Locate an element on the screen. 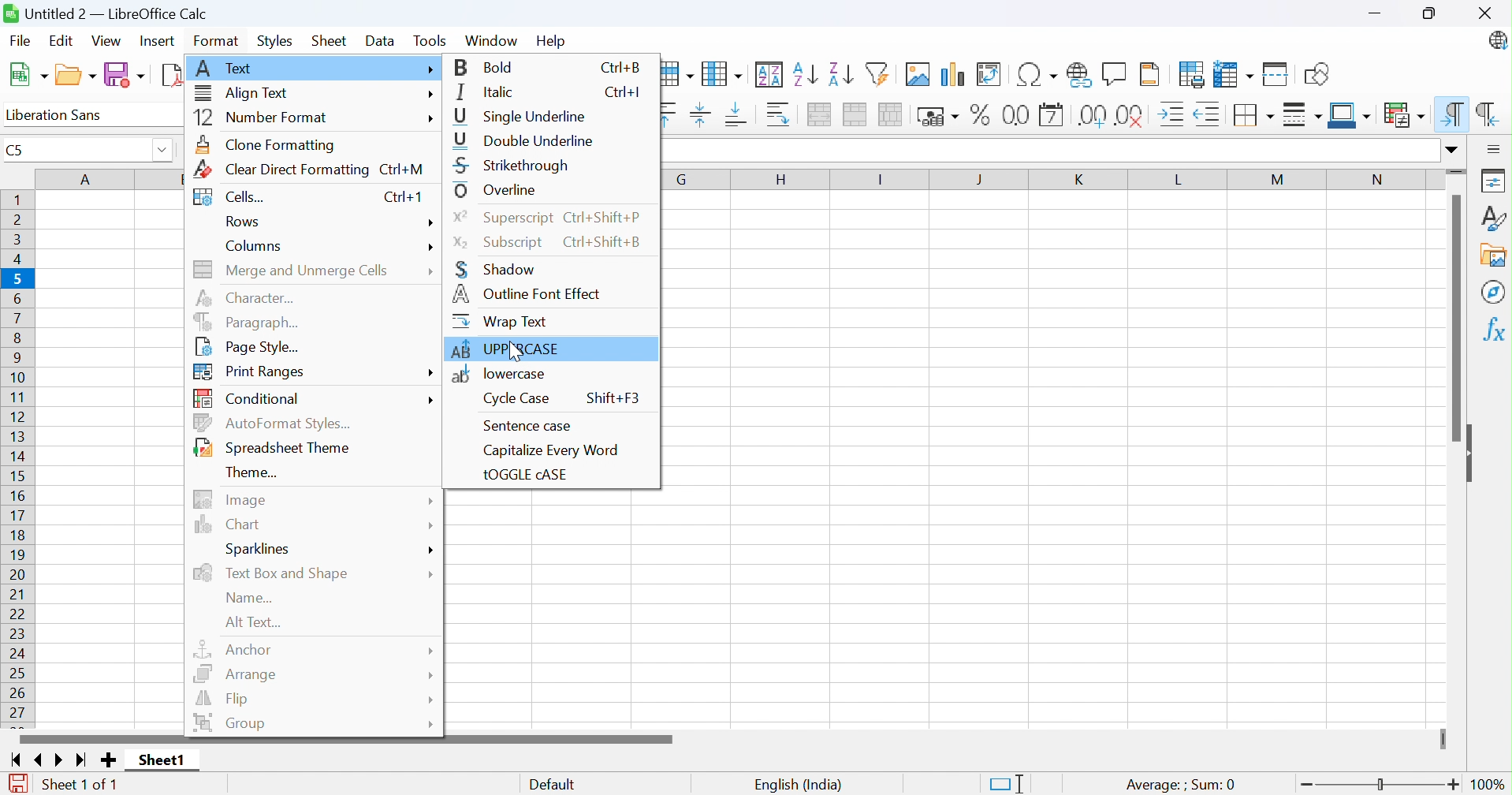  Sparklines is located at coordinates (262, 550).